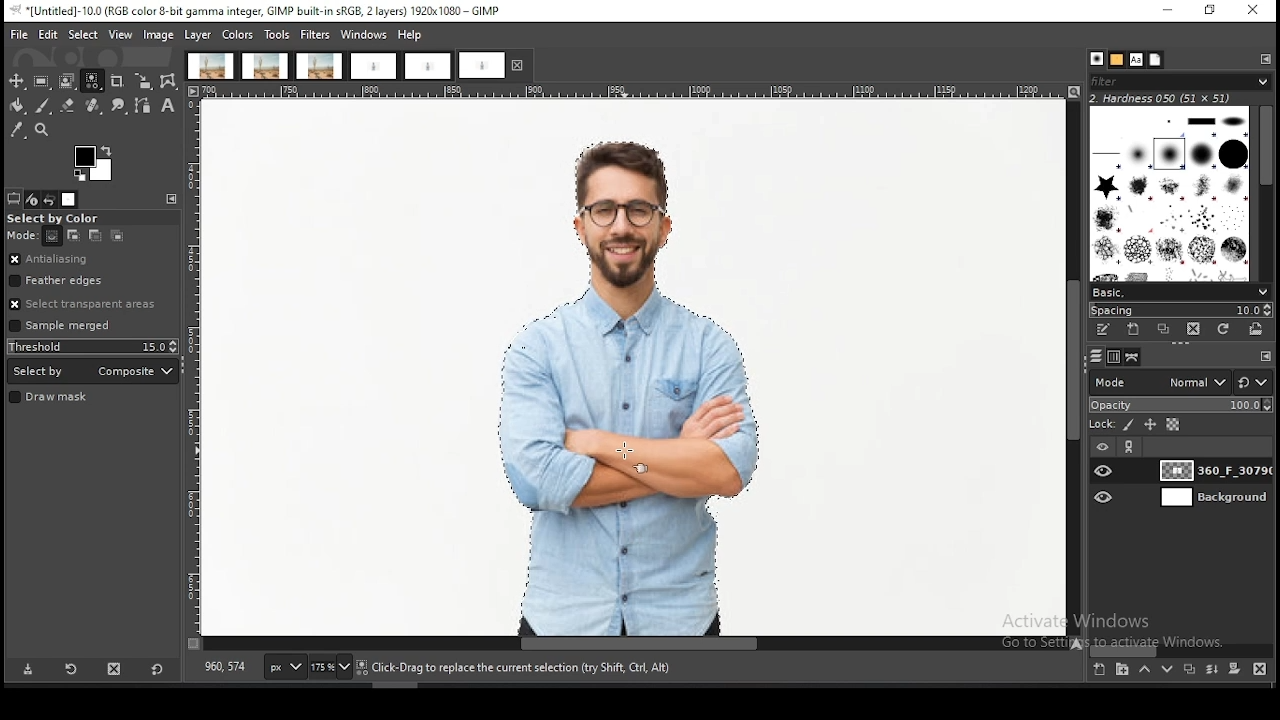  I want to click on add a mask, so click(1234, 668).